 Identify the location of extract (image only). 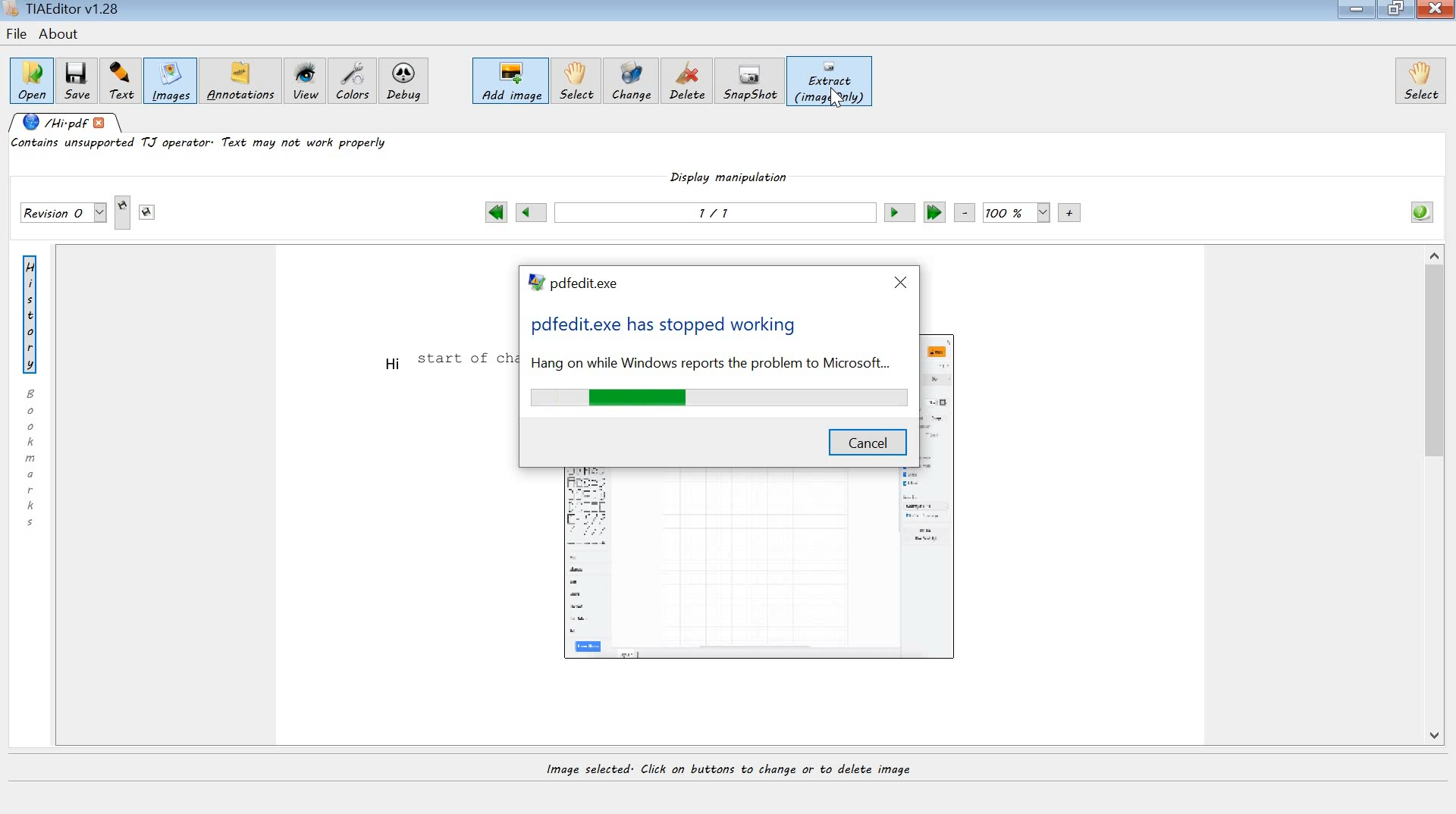
(829, 80).